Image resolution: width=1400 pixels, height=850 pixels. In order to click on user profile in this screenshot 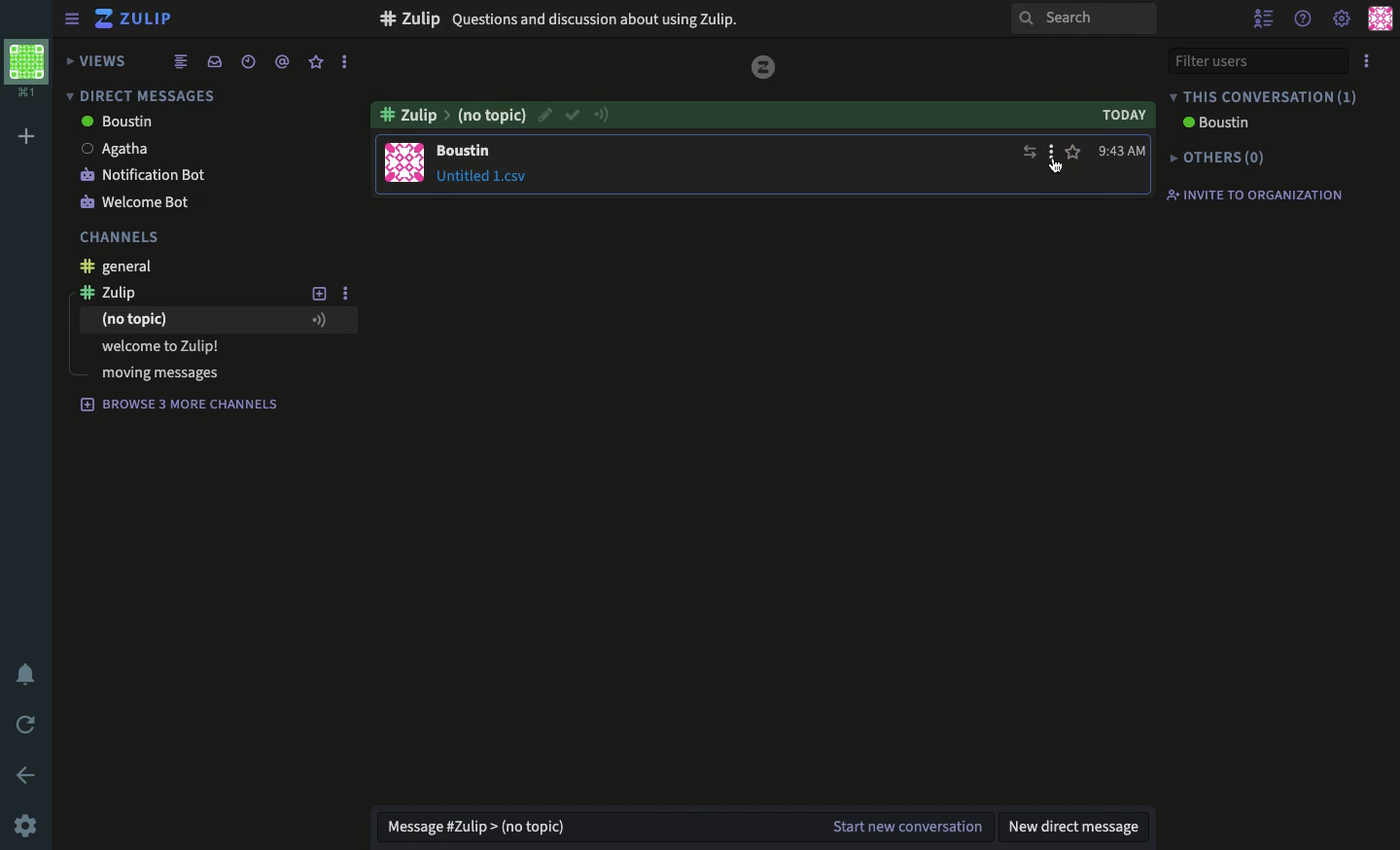, I will do `click(1379, 18)`.